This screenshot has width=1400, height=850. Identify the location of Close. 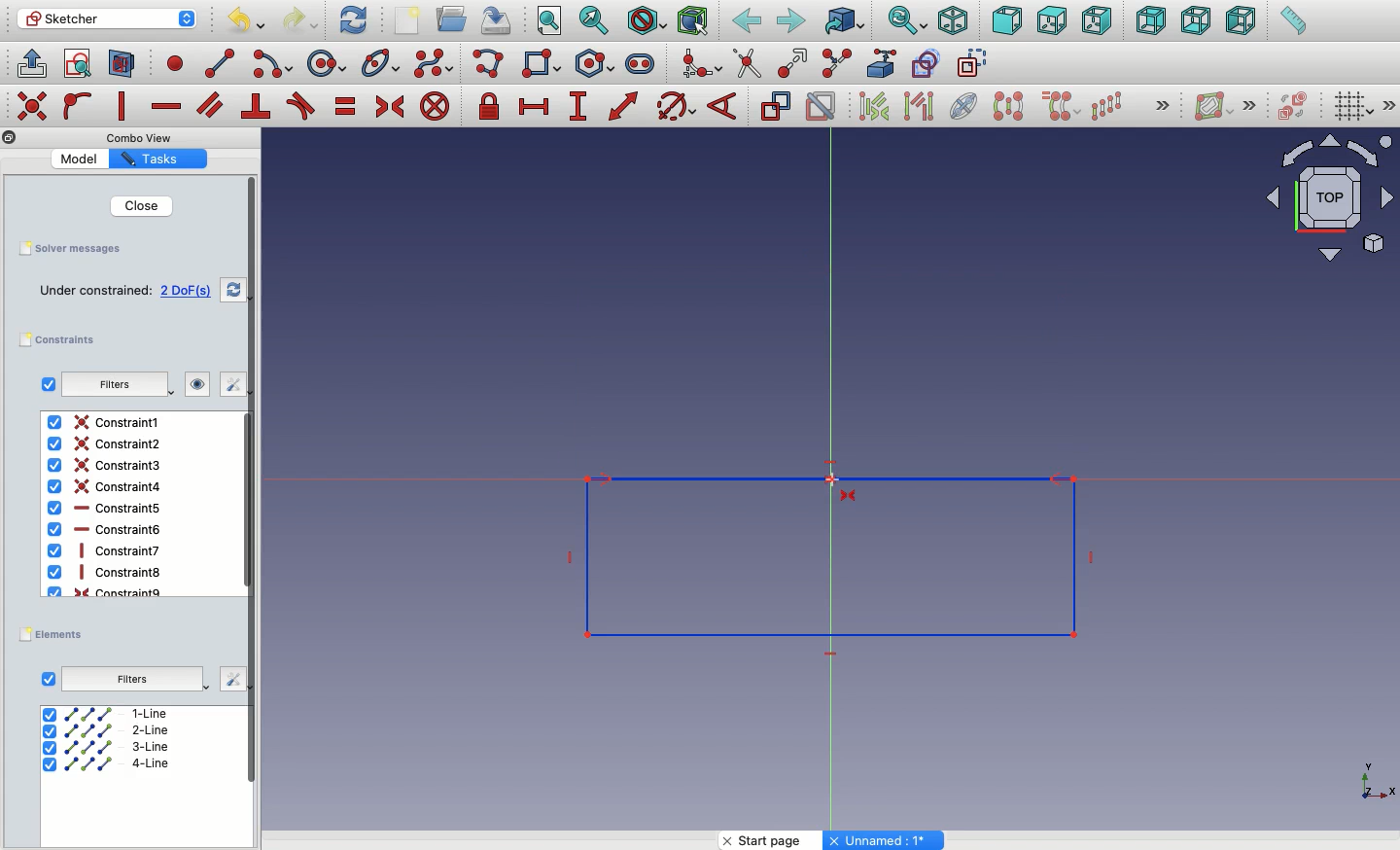
(129, 205).